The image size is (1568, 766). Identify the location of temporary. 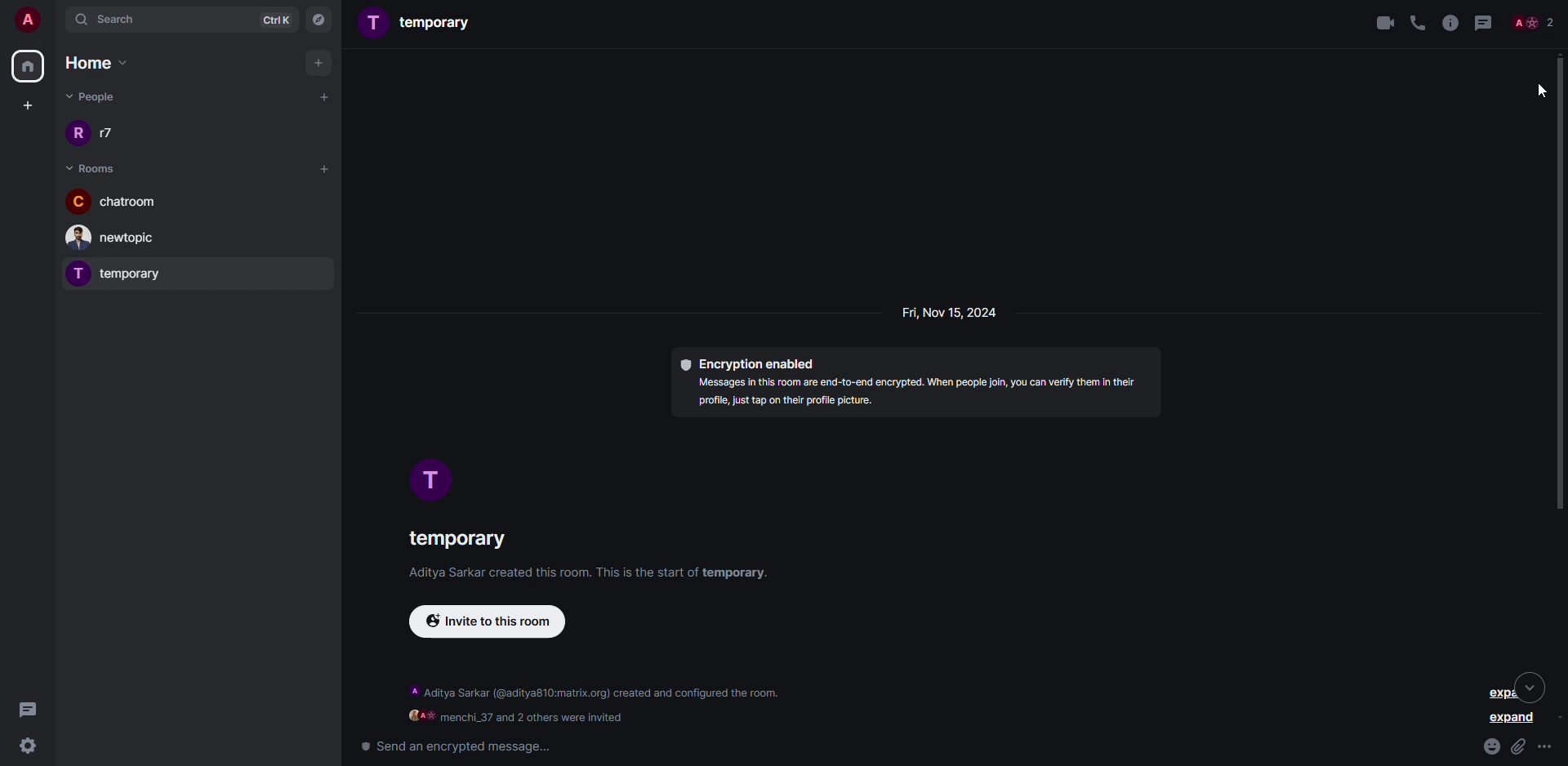
(121, 273).